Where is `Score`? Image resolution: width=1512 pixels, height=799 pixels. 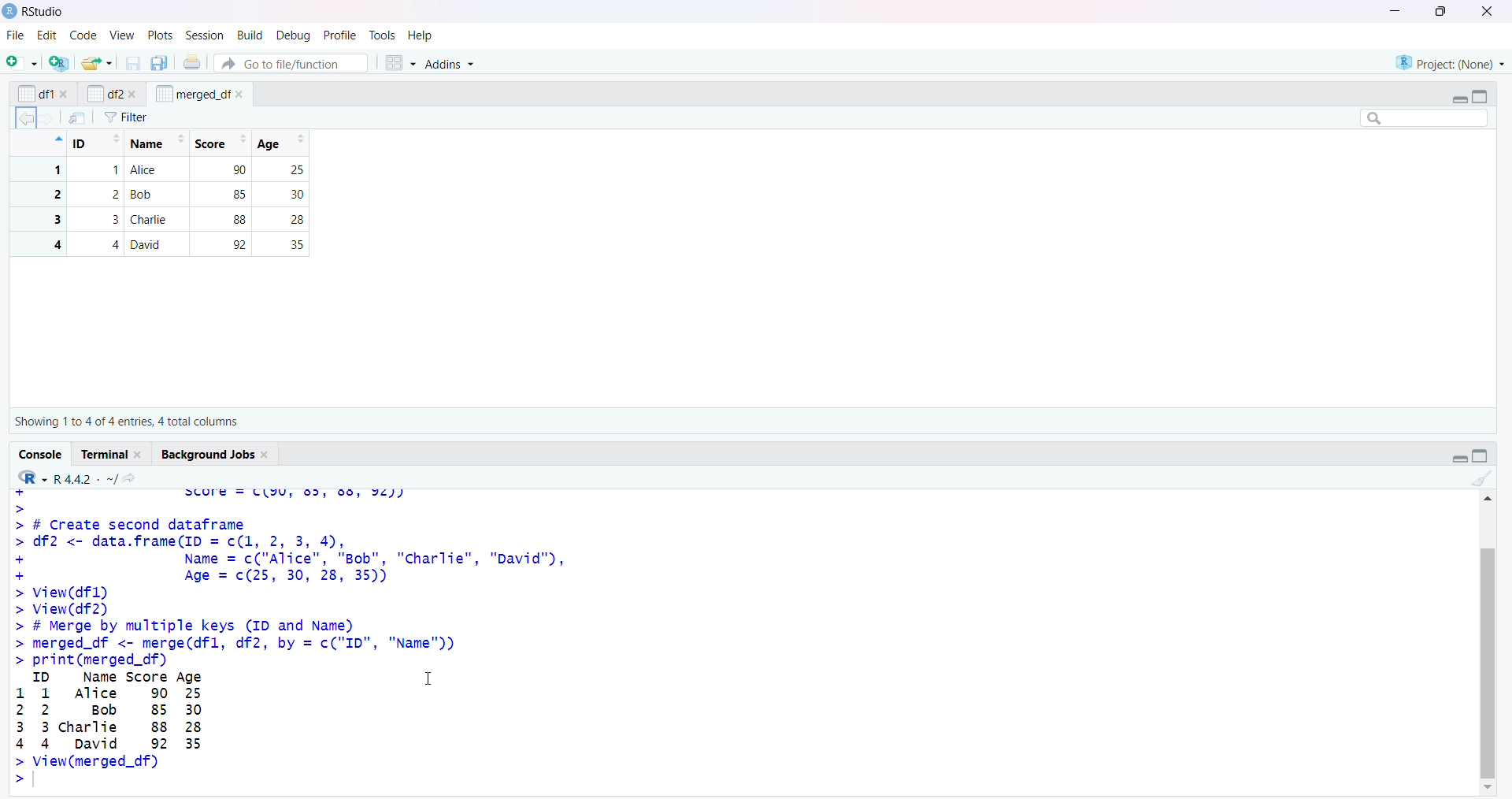
Score is located at coordinates (220, 143).